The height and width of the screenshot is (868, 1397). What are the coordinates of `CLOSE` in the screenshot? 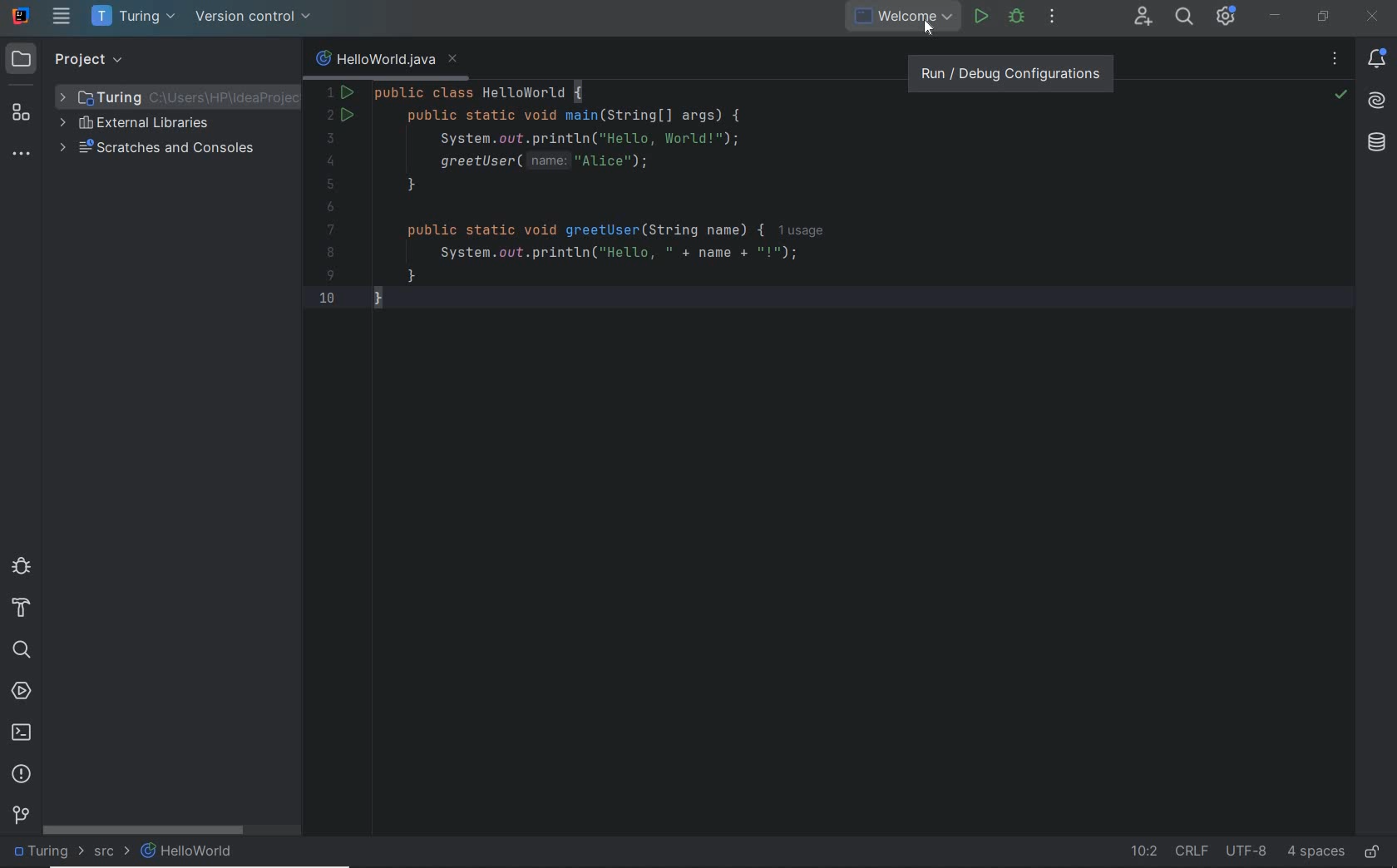 It's located at (1373, 17).